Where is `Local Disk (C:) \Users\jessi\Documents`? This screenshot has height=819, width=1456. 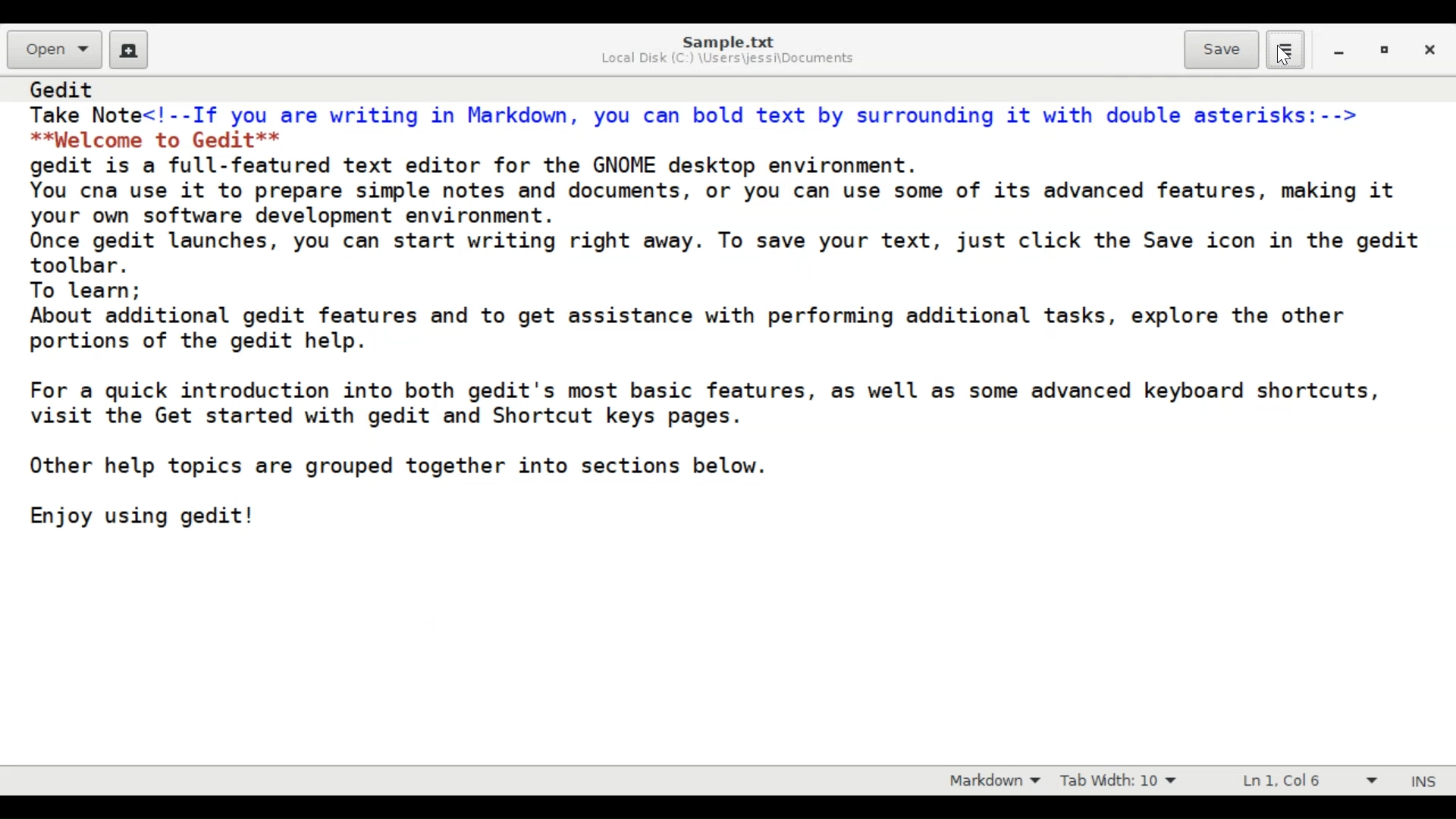
Local Disk (C:) \Users\jessi\Documents is located at coordinates (728, 60).